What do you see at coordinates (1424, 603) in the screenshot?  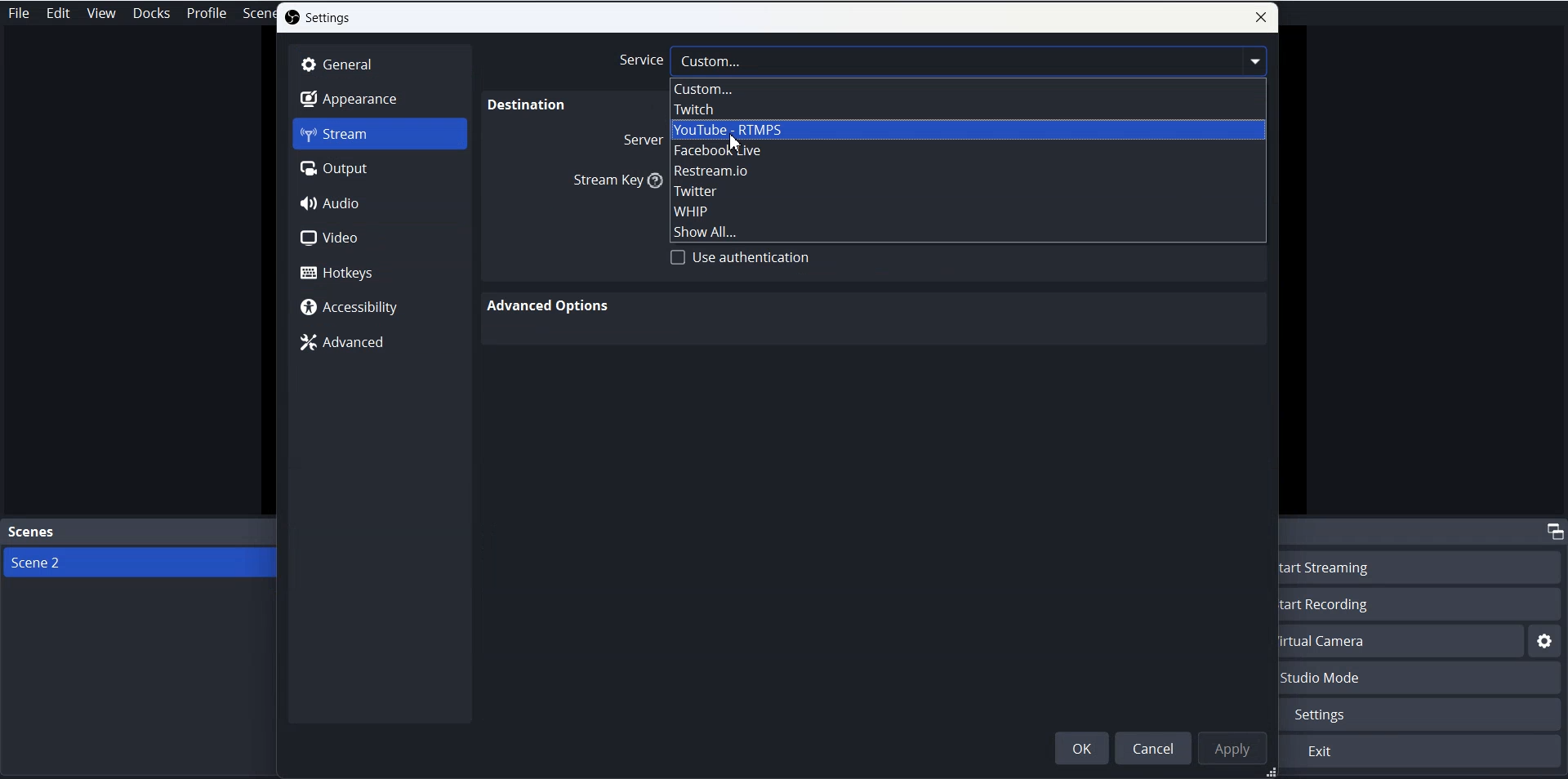 I see `Start Recording` at bounding box center [1424, 603].